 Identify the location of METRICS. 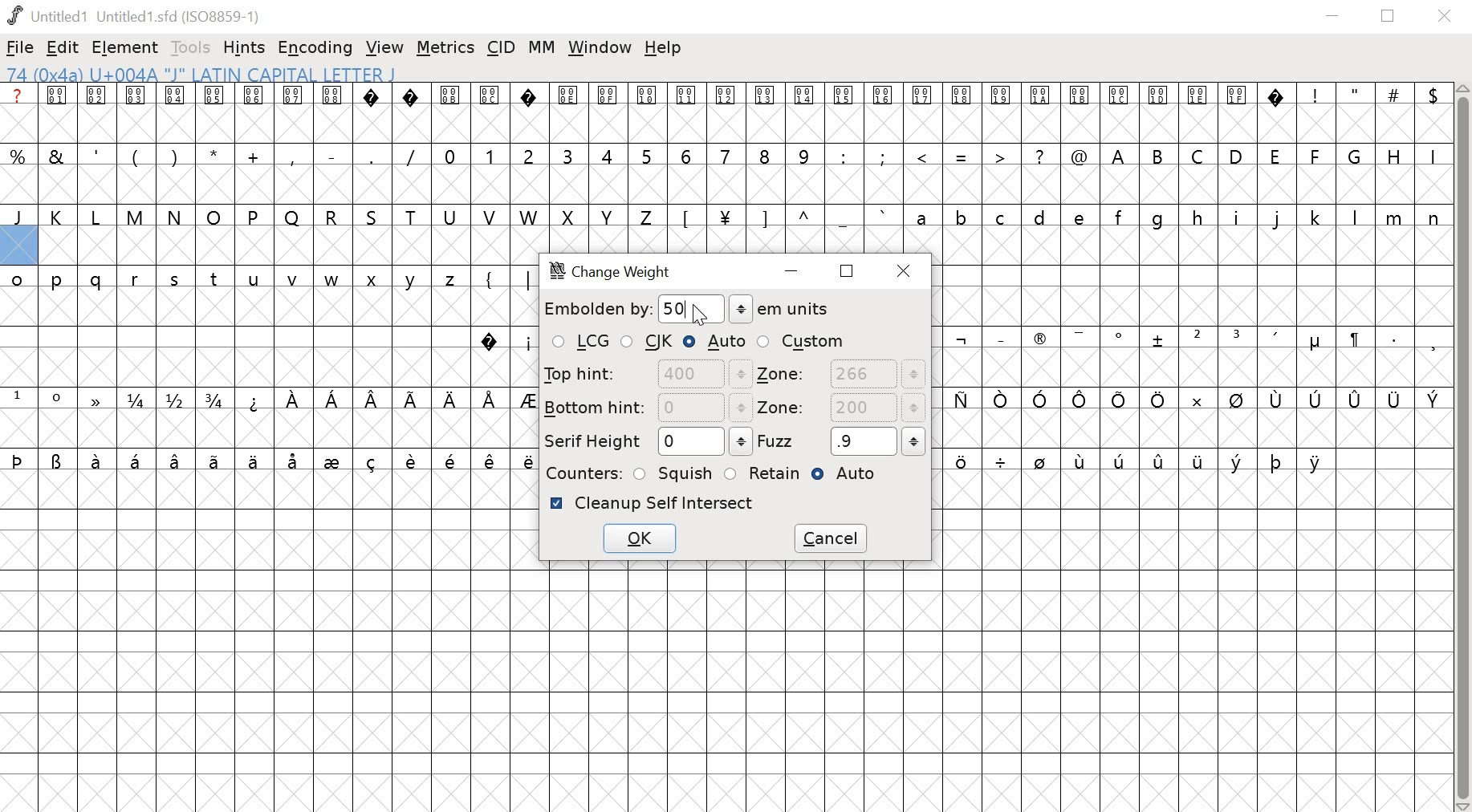
(445, 49).